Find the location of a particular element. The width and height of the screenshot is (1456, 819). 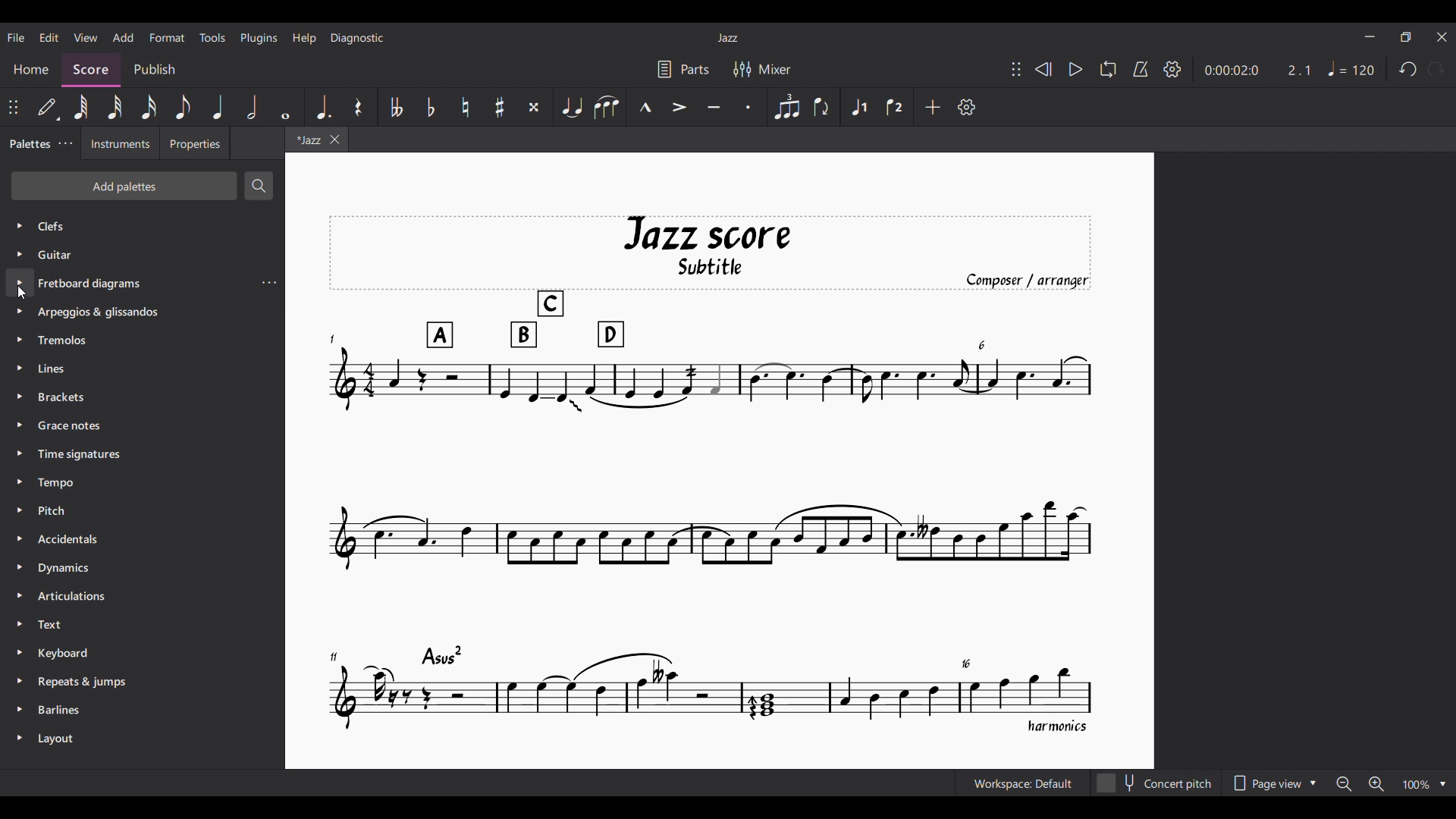

Brackets is located at coordinates (68, 400).